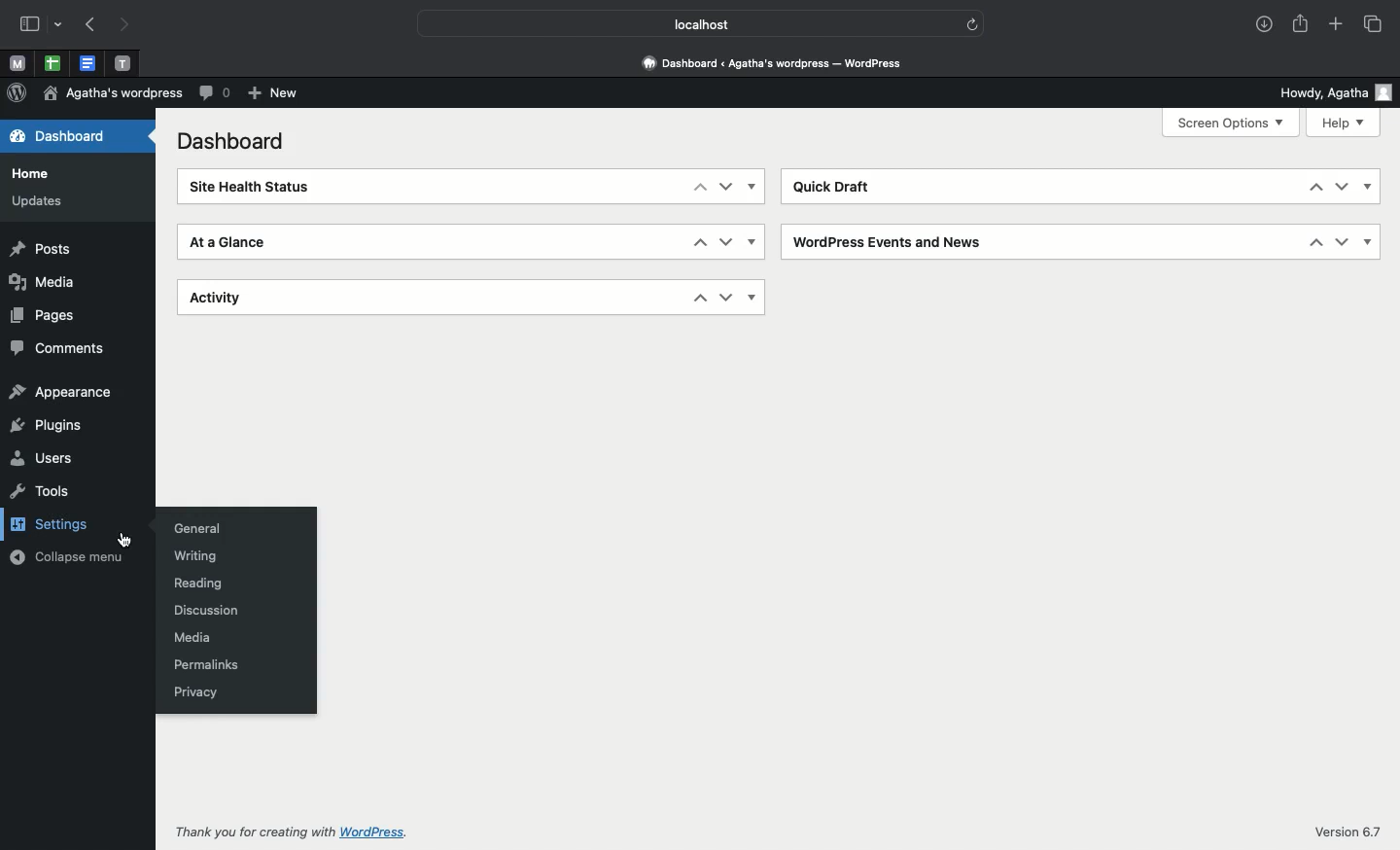  Describe the element at coordinates (203, 610) in the screenshot. I see `Discussion` at that location.